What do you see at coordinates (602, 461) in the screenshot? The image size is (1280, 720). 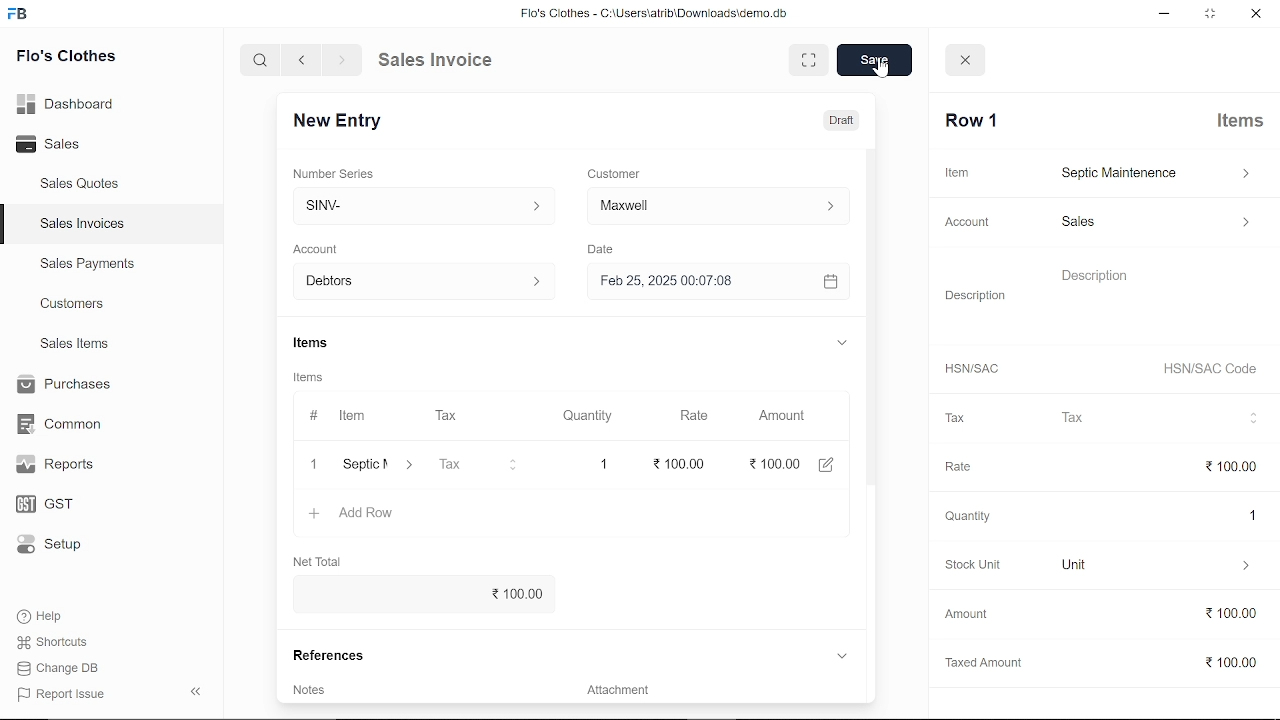 I see `1` at bounding box center [602, 461].